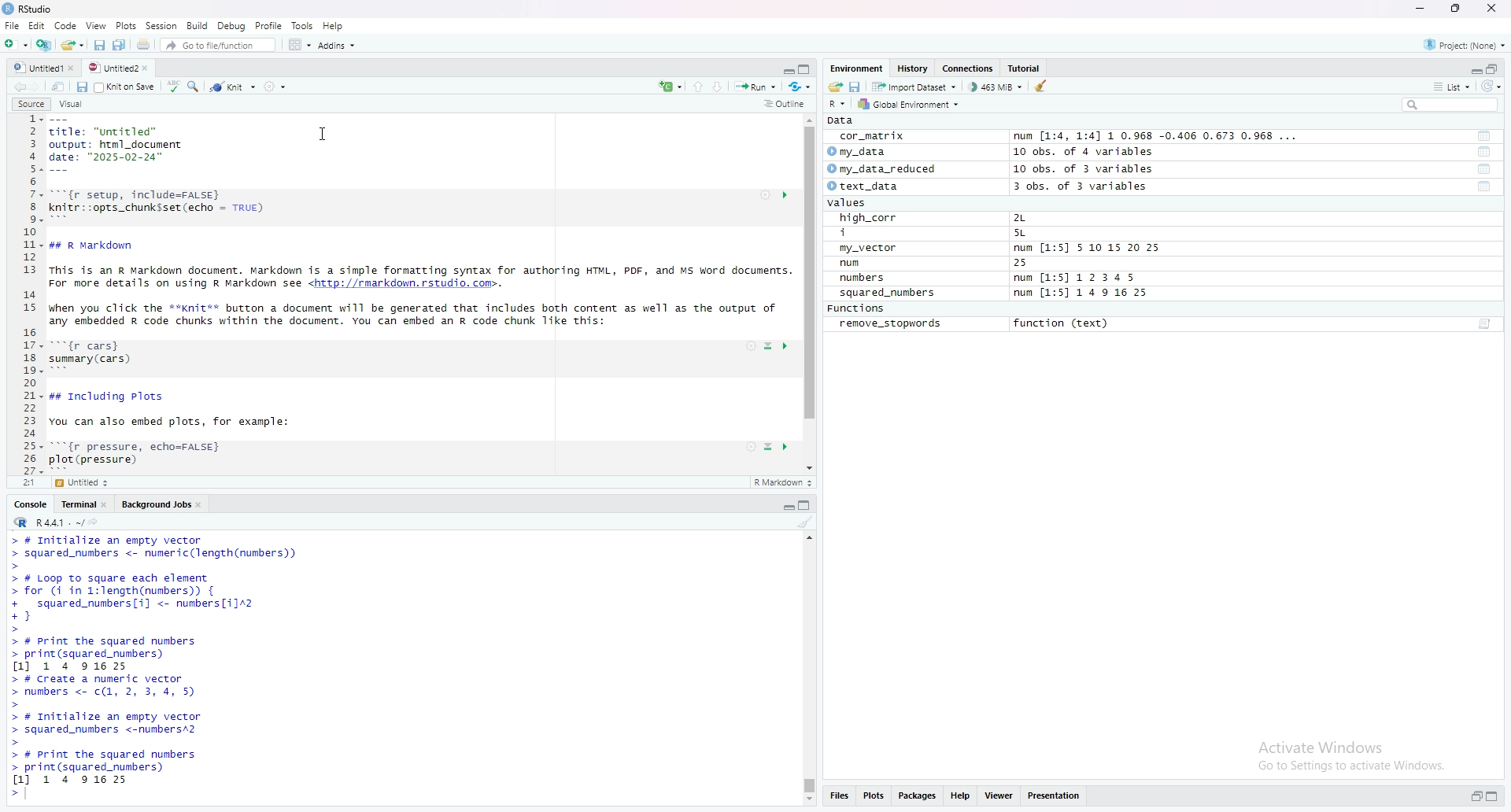 Image resolution: width=1511 pixels, height=812 pixels. What do you see at coordinates (1465, 43) in the screenshot?
I see `Project none` at bounding box center [1465, 43].